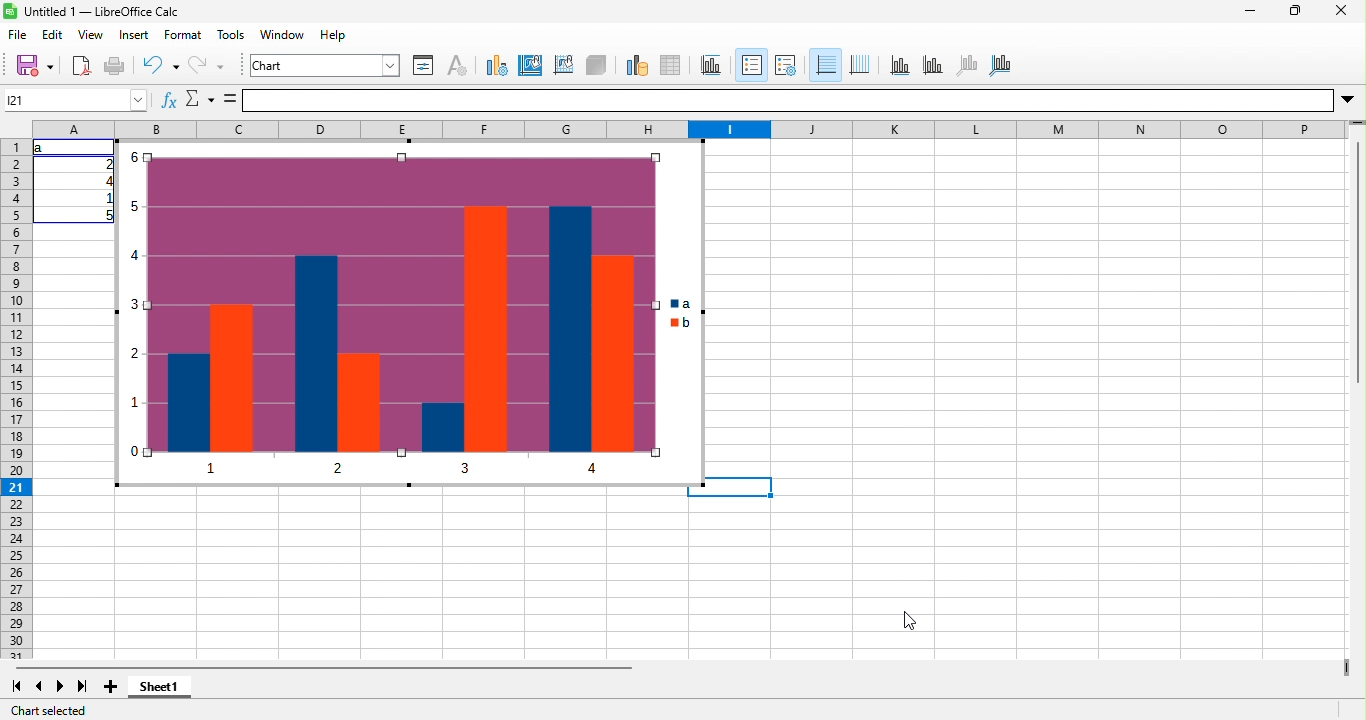 The height and width of the screenshot is (720, 1366). I want to click on More options, so click(1347, 100).